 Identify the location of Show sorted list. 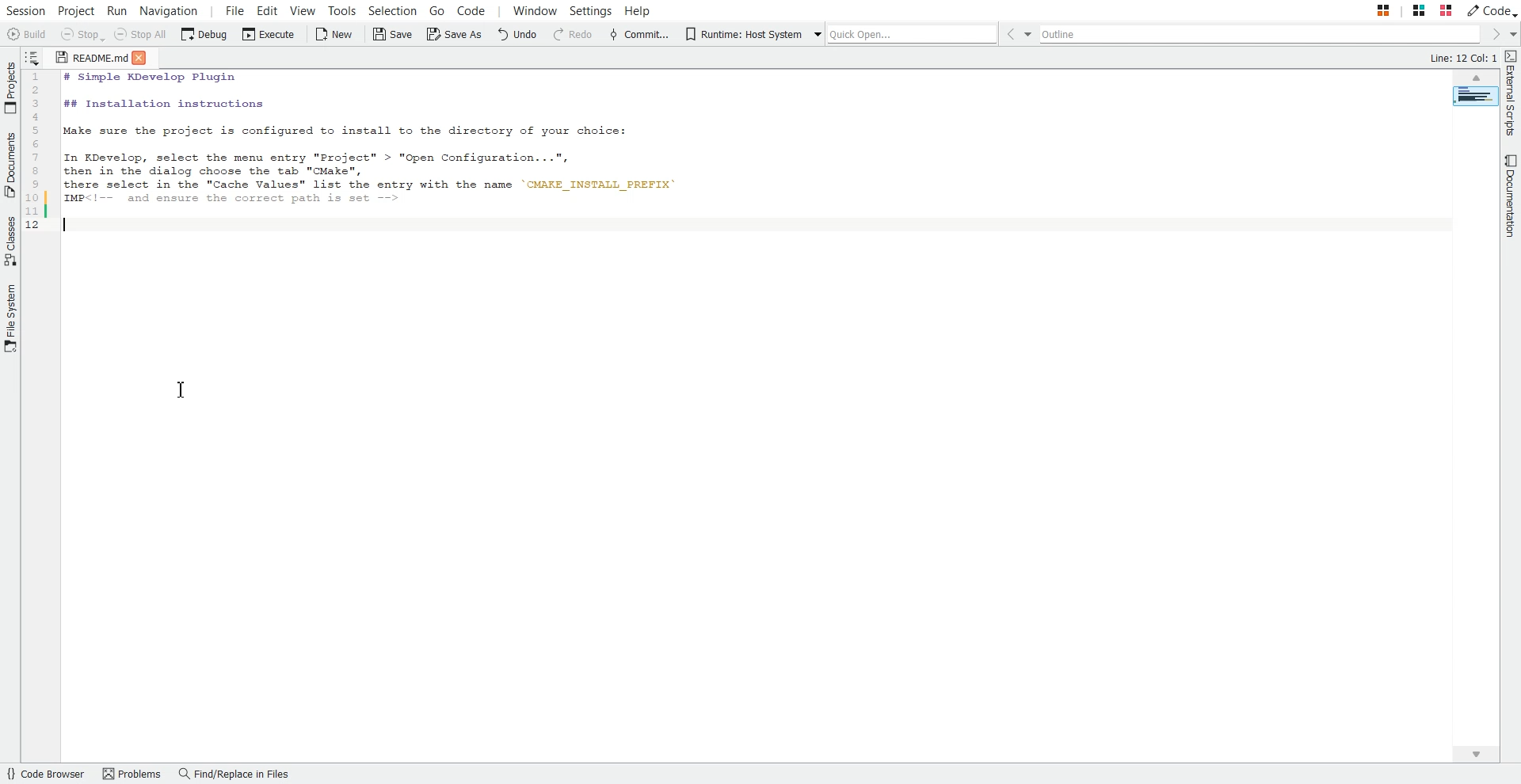
(32, 57).